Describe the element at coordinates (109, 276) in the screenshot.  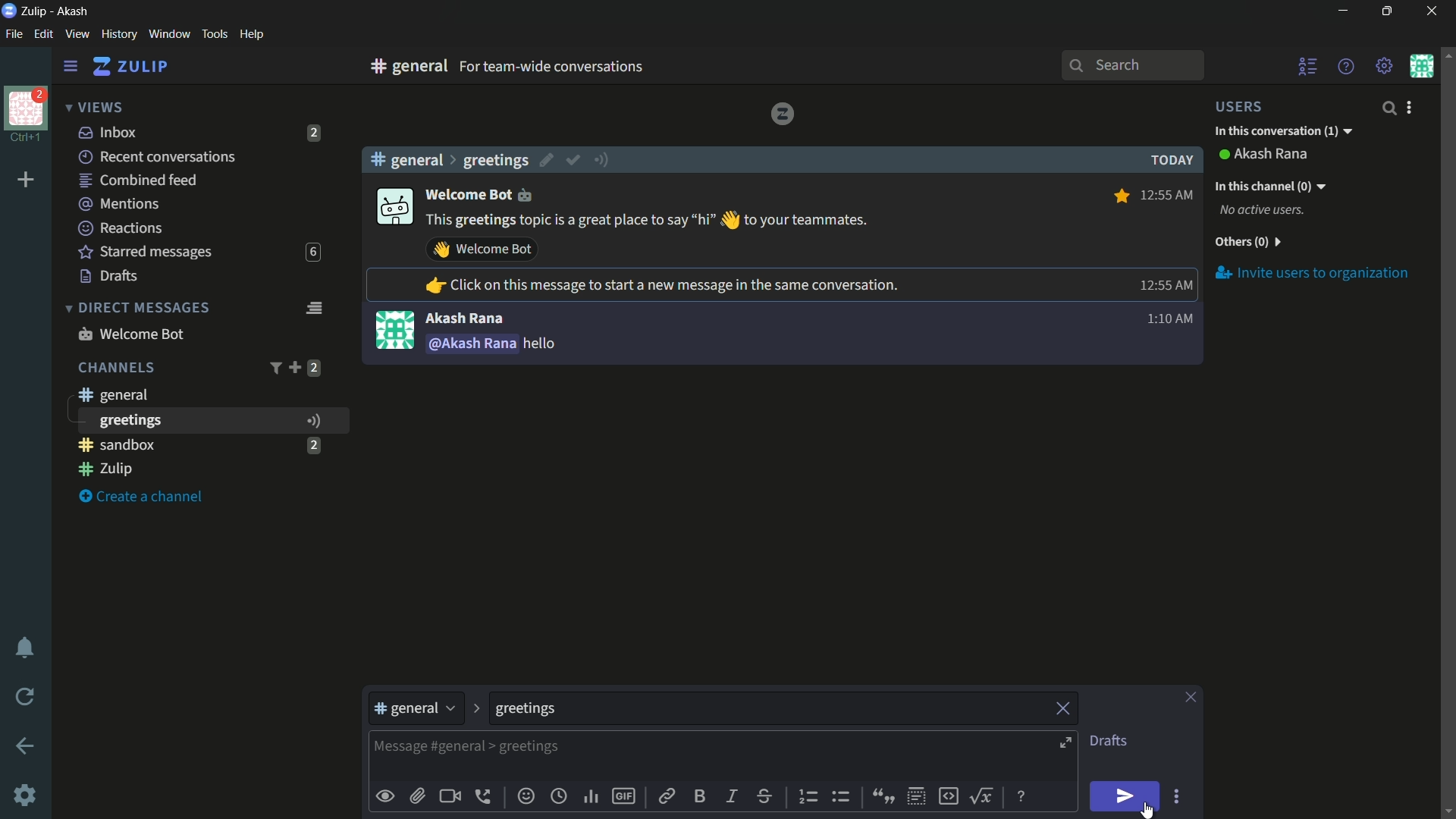
I see `drafts` at that location.